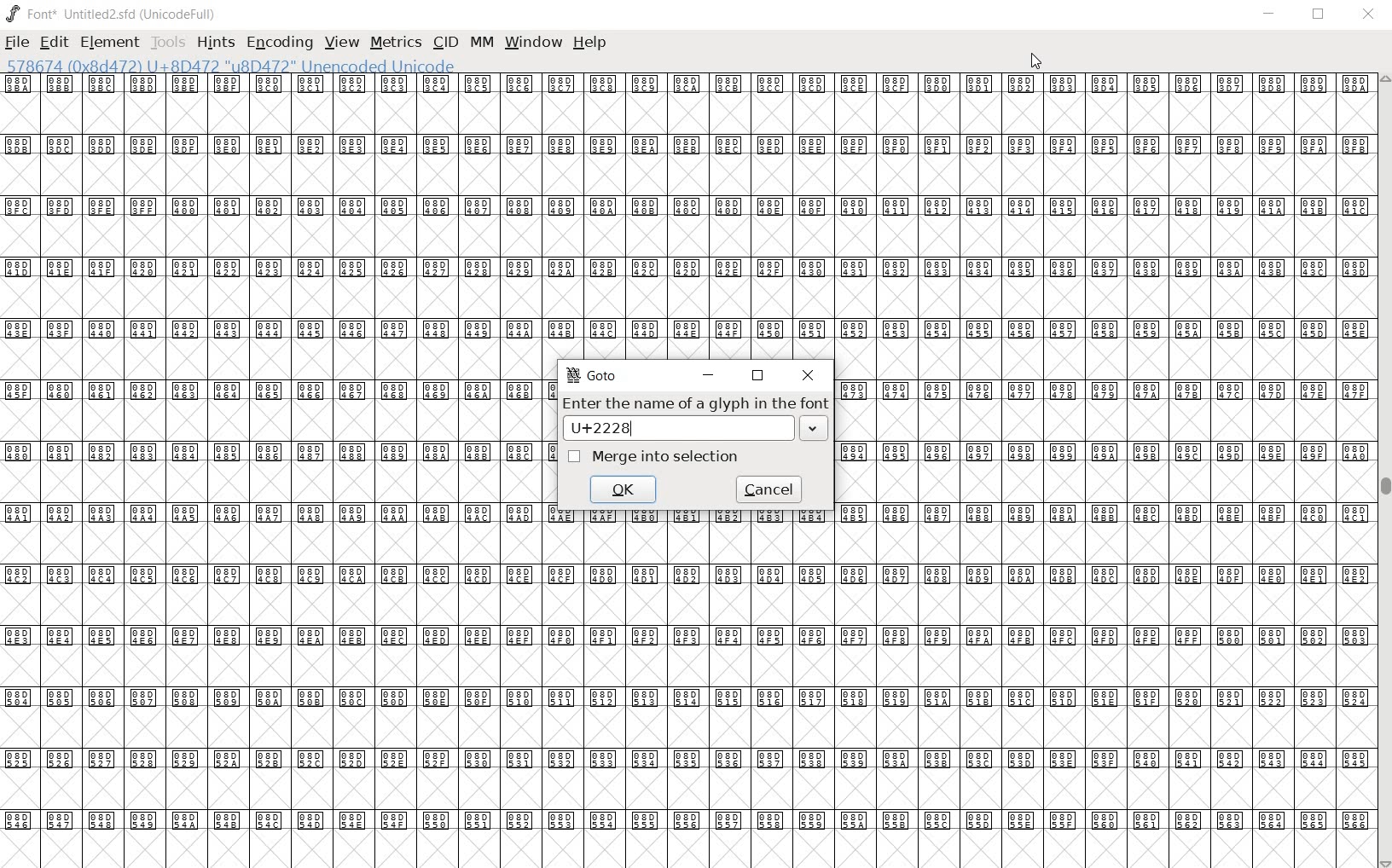 The width and height of the screenshot is (1392, 868). What do you see at coordinates (1038, 62) in the screenshot?
I see `close` at bounding box center [1038, 62].